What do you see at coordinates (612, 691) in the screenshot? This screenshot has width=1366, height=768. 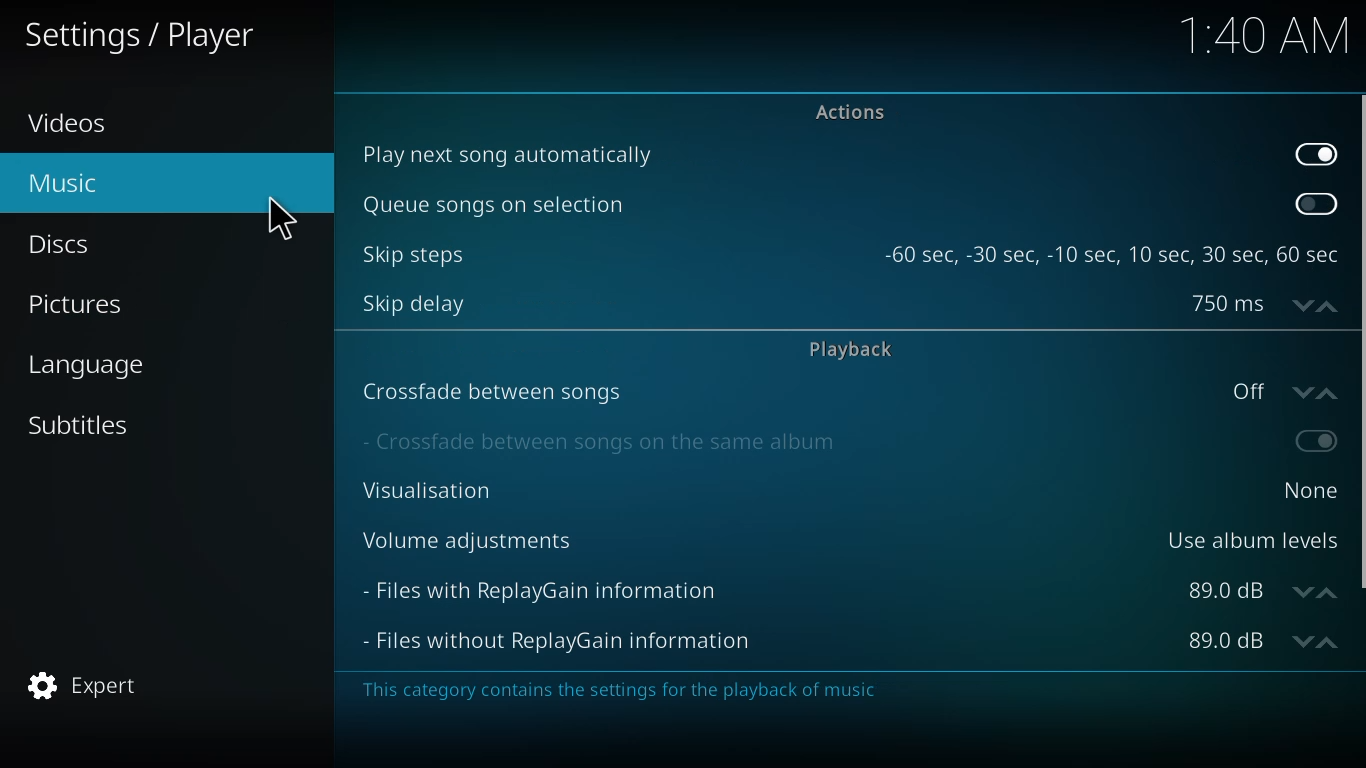 I see `info` at bounding box center [612, 691].